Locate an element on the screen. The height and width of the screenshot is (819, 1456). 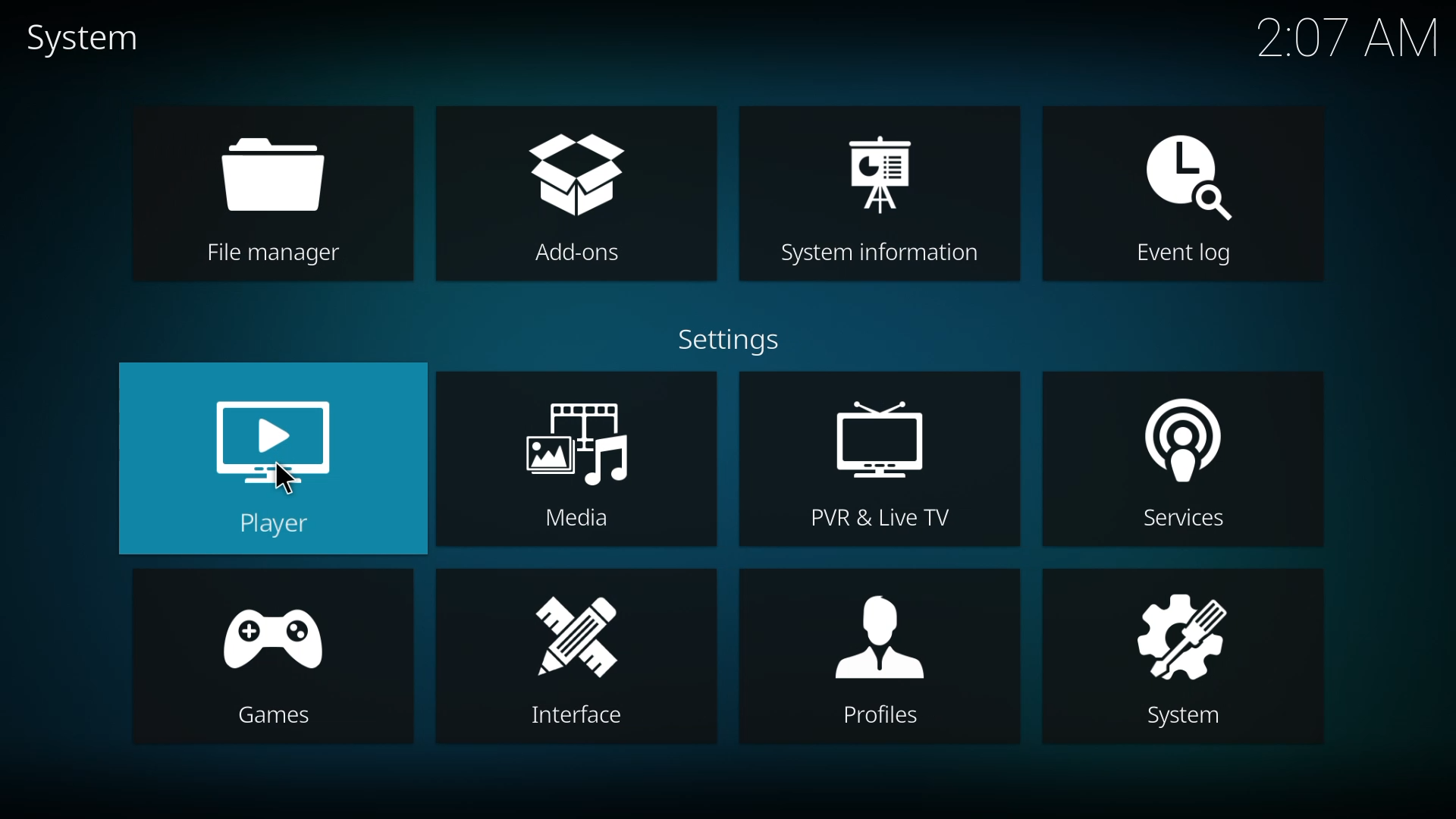
system information is located at coordinates (883, 193).